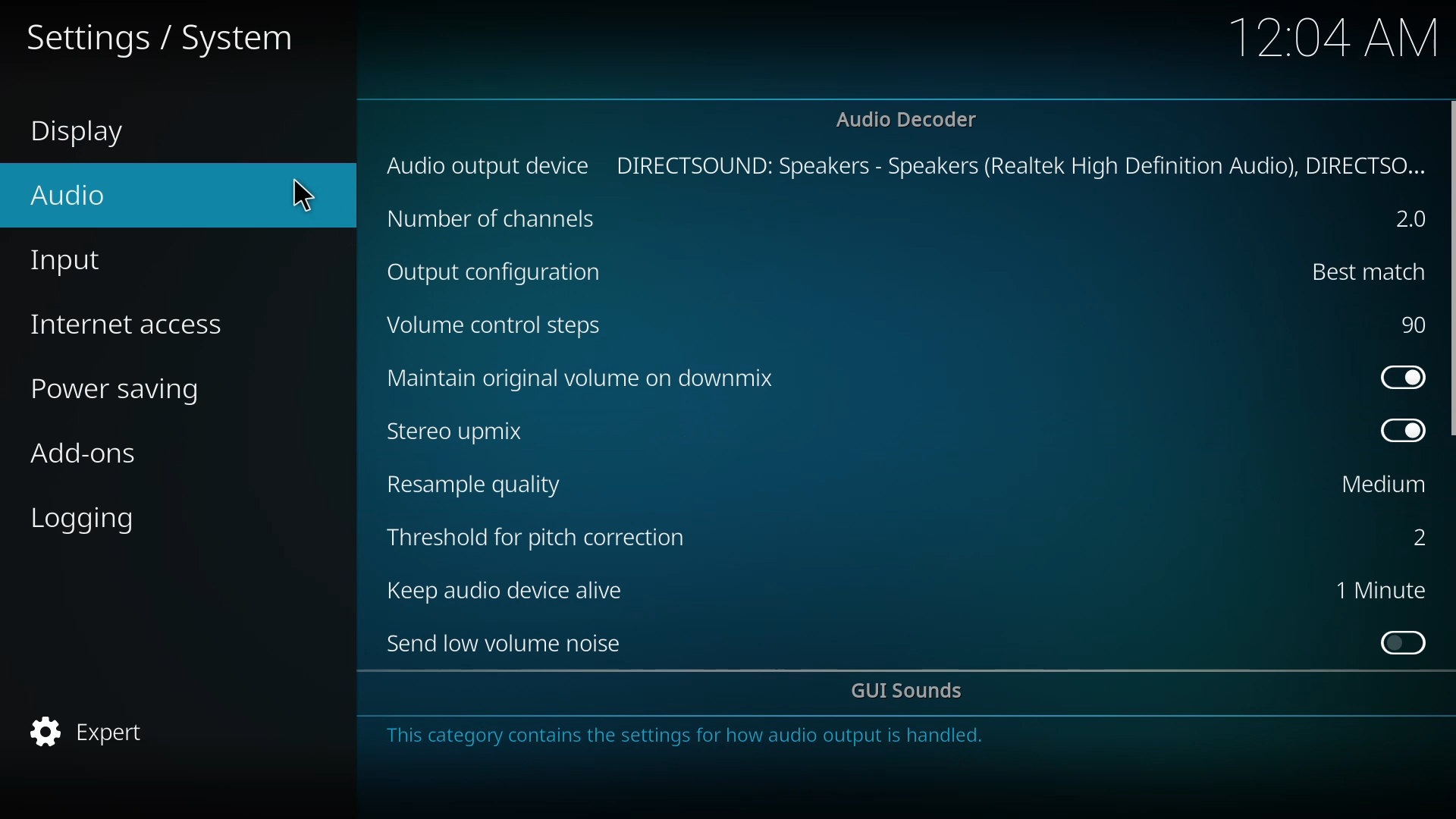  Describe the element at coordinates (541, 536) in the screenshot. I see `threshold` at that location.